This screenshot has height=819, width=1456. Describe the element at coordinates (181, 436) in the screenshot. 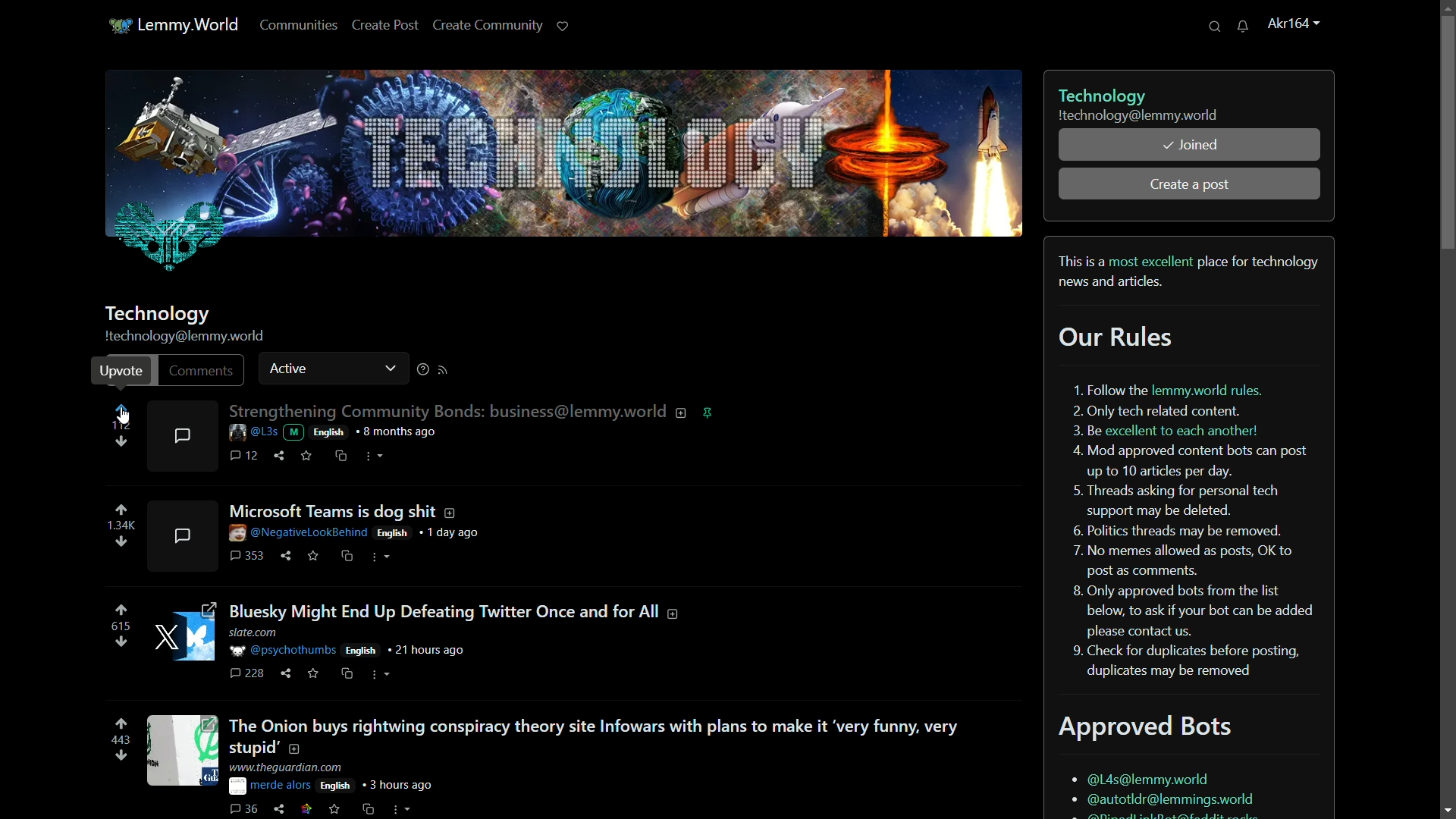

I see `comments` at that location.